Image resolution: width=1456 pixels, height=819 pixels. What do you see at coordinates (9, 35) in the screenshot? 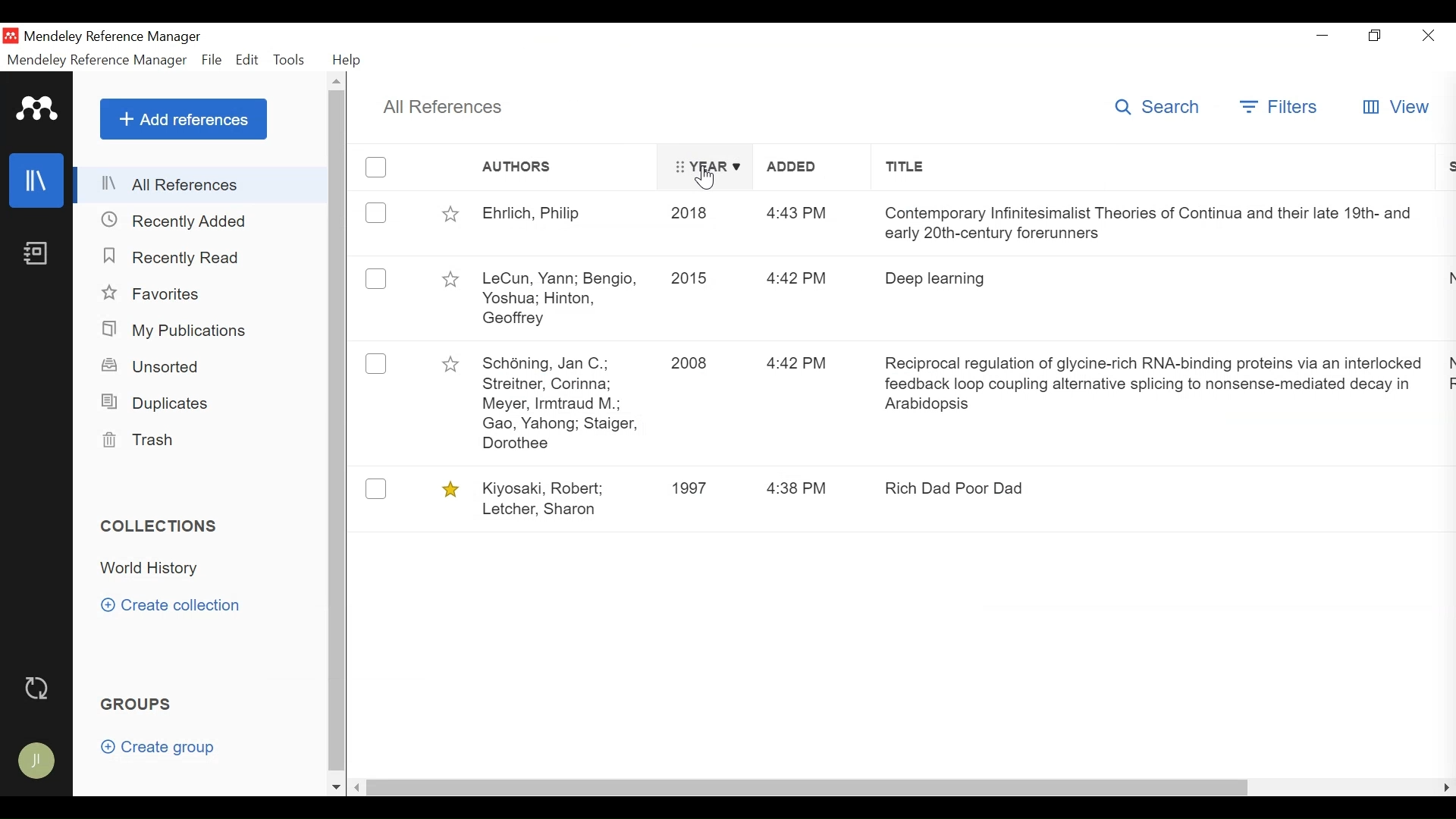
I see `Mendeley Desktop Icon` at bounding box center [9, 35].